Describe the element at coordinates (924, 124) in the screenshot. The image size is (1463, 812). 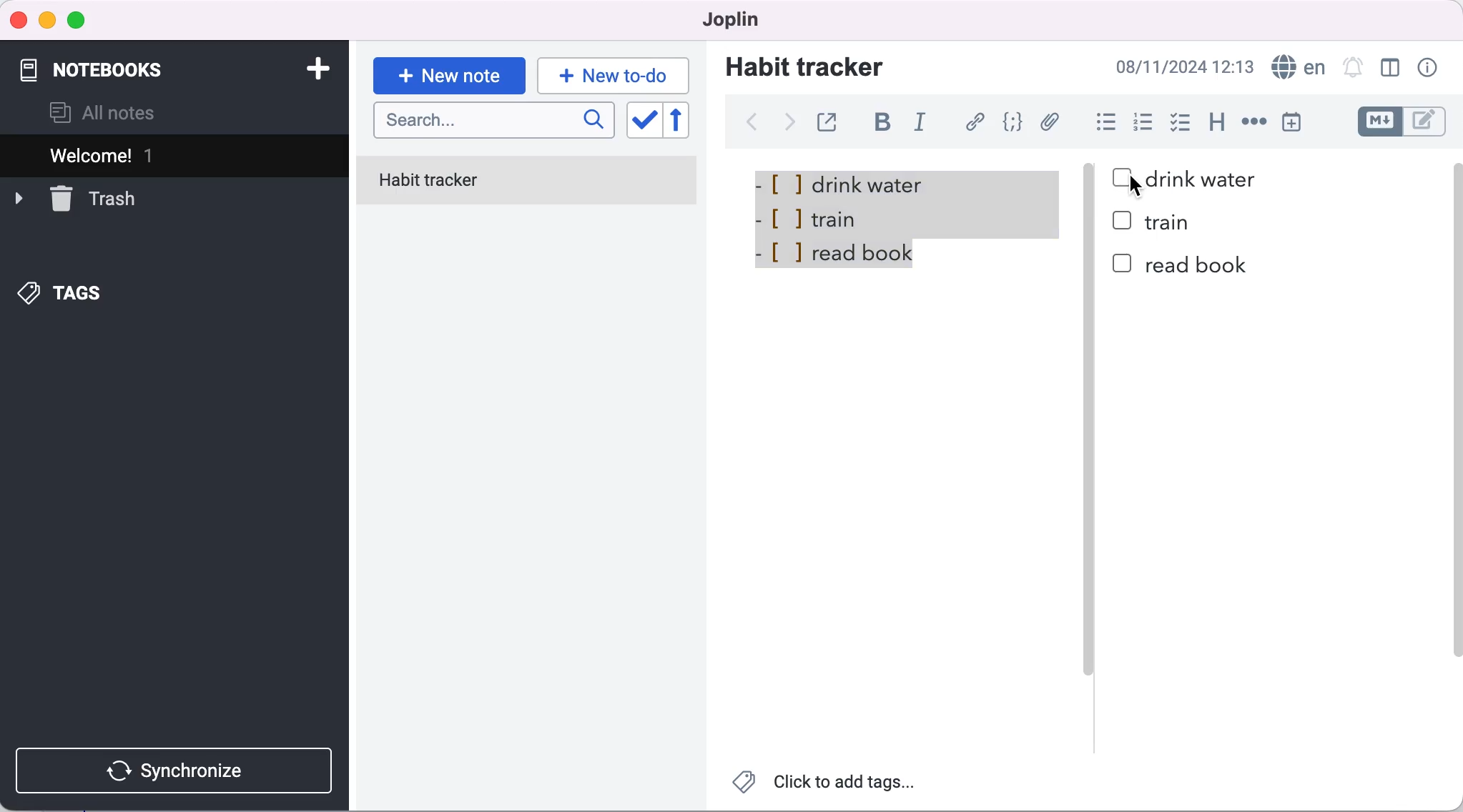
I see `italic` at that location.